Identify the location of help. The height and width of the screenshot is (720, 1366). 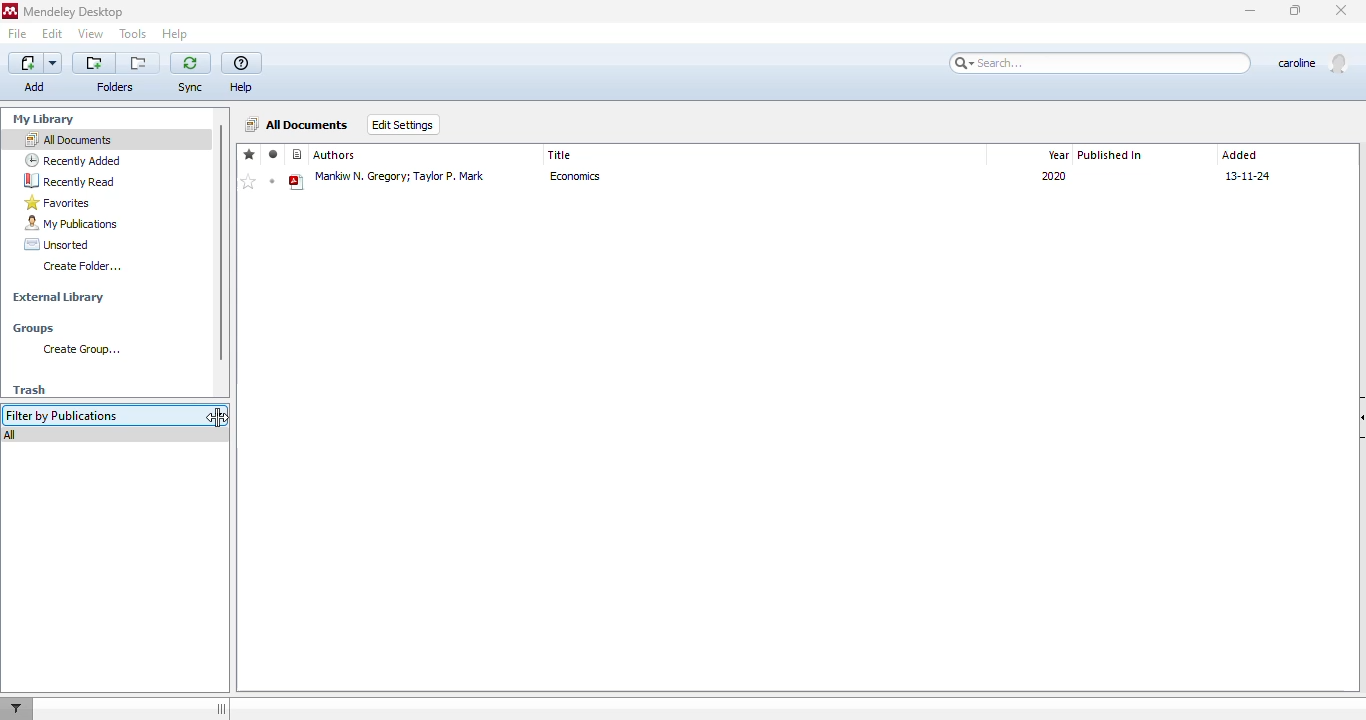
(242, 64).